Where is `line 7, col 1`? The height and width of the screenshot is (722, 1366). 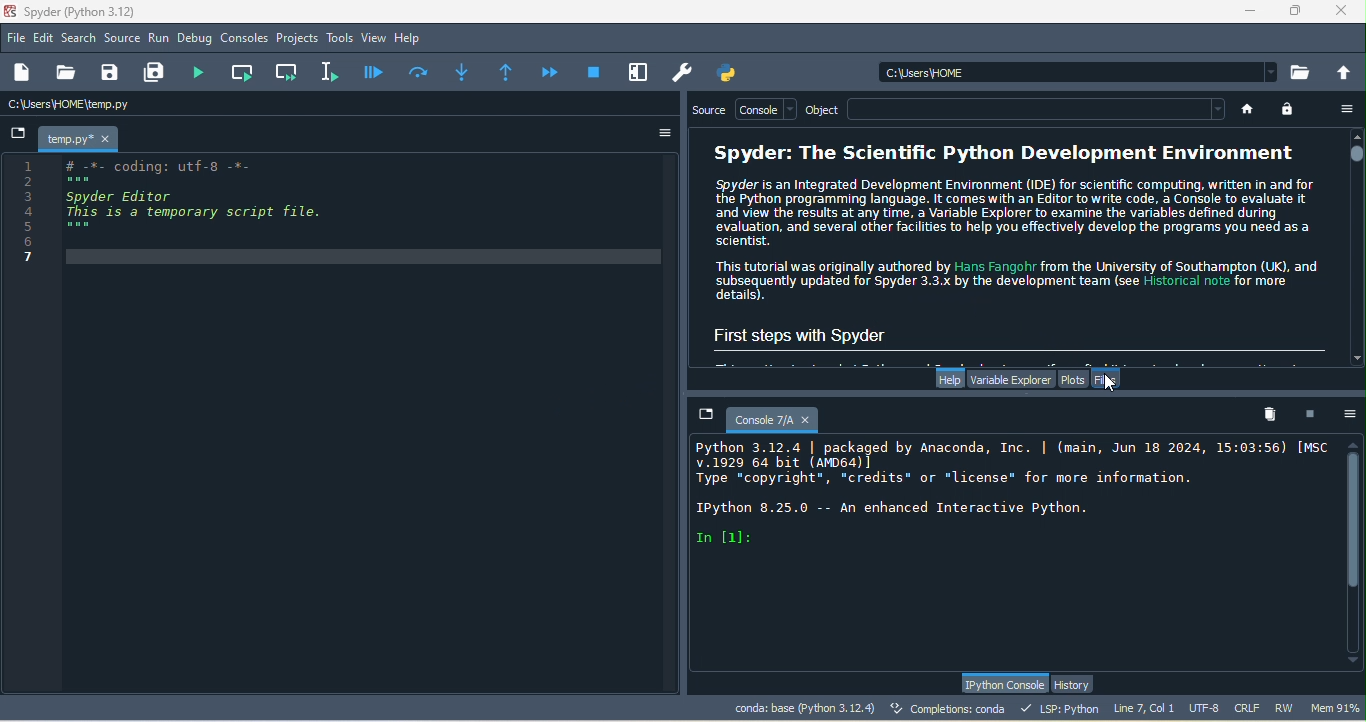
line 7, col 1 is located at coordinates (1144, 707).